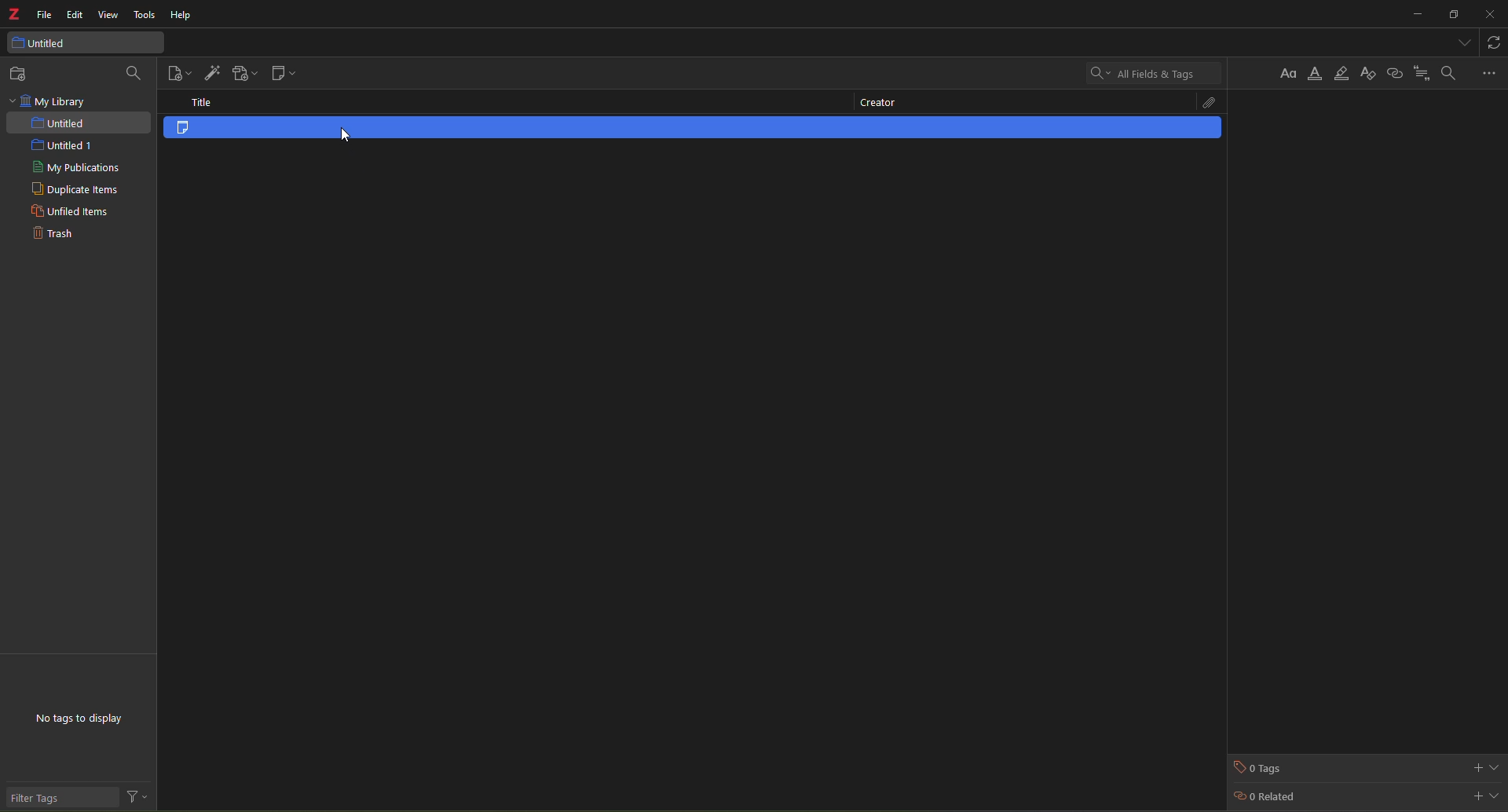  Describe the element at coordinates (75, 15) in the screenshot. I see `edit` at that location.